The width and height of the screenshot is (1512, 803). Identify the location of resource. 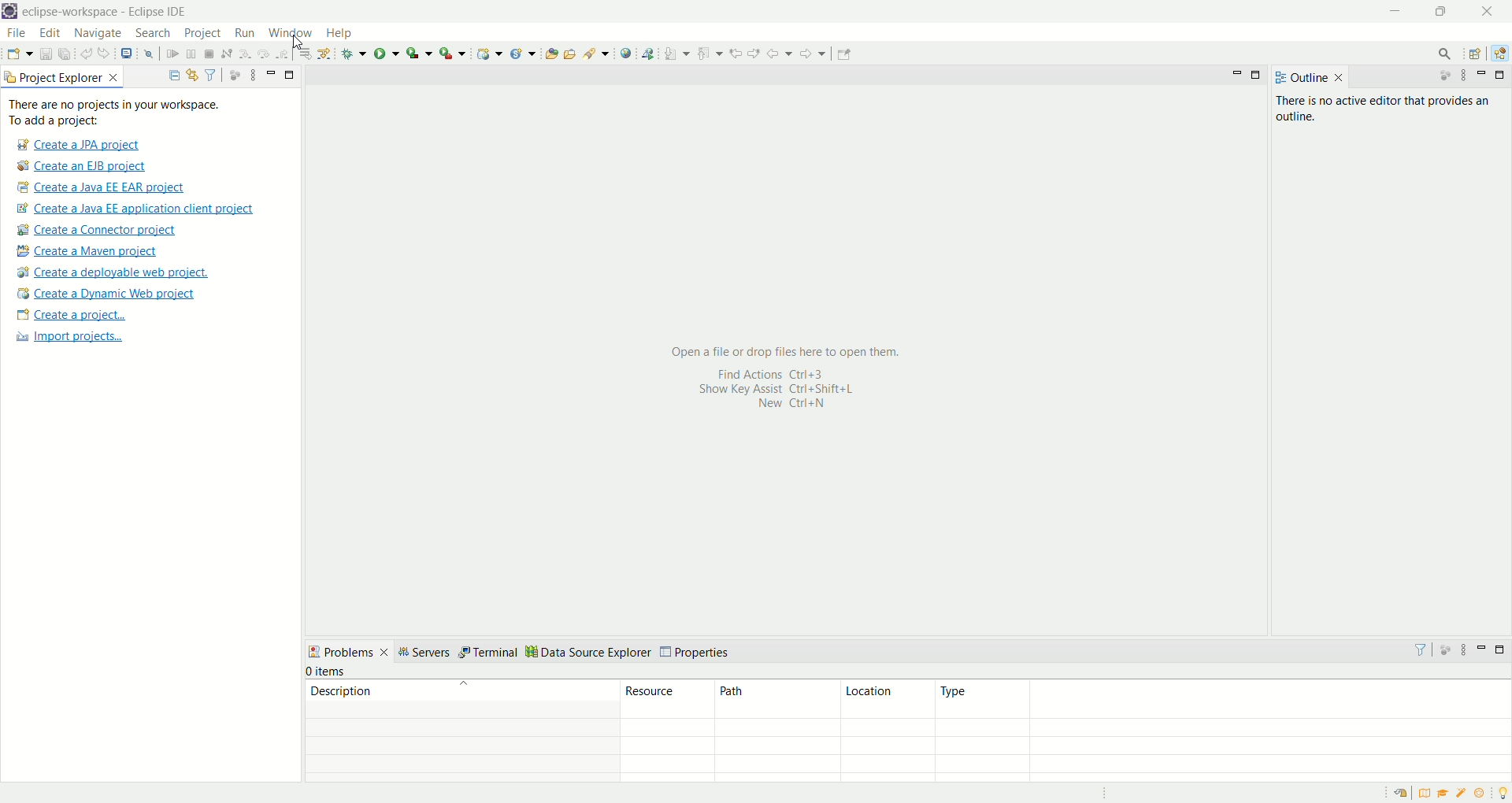
(669, 698).